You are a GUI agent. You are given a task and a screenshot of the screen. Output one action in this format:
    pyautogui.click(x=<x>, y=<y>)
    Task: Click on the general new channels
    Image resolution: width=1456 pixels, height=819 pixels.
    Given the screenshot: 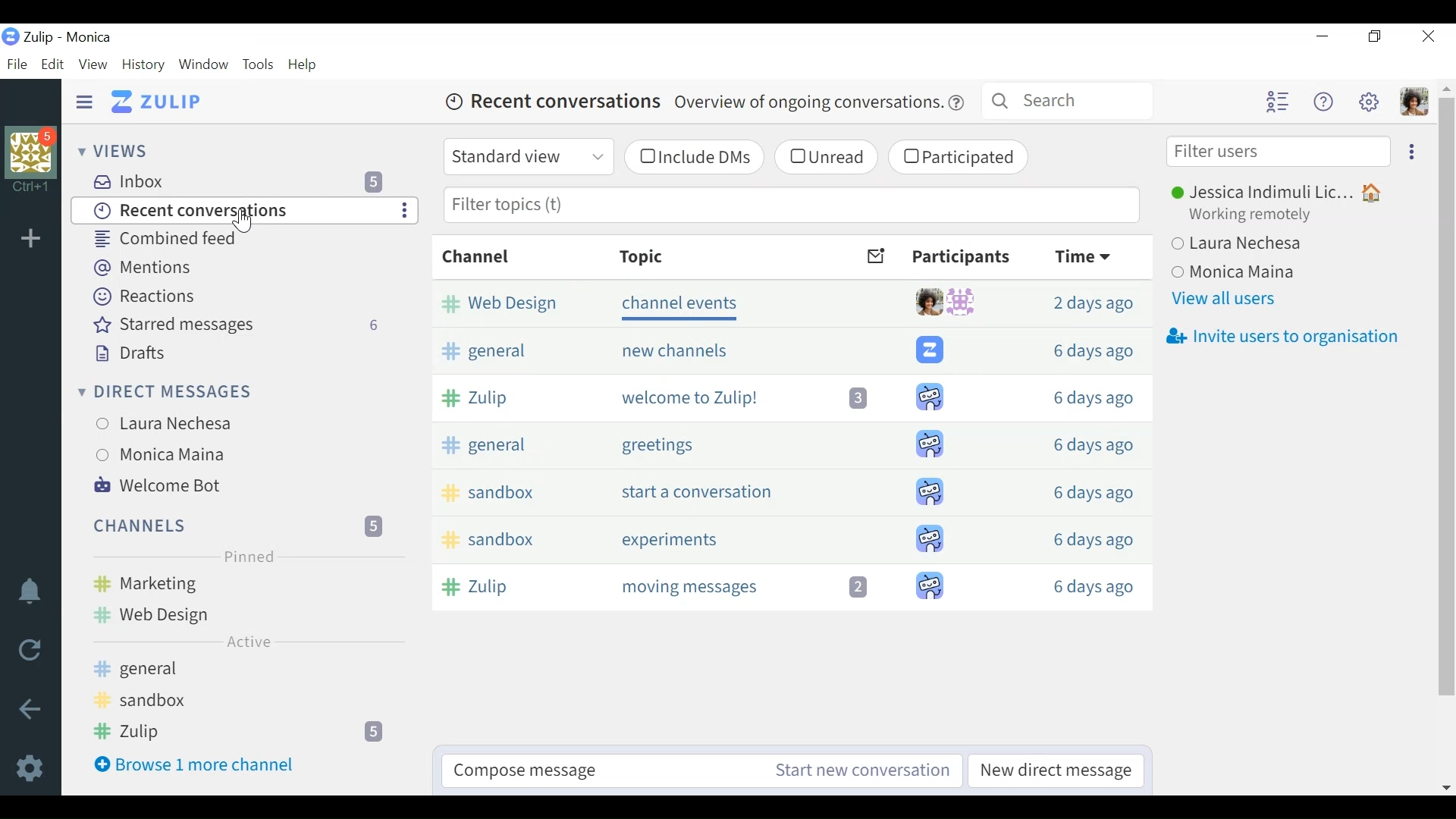 What is the action you would take?
    pyautogui.click(x=789, y=350)
    